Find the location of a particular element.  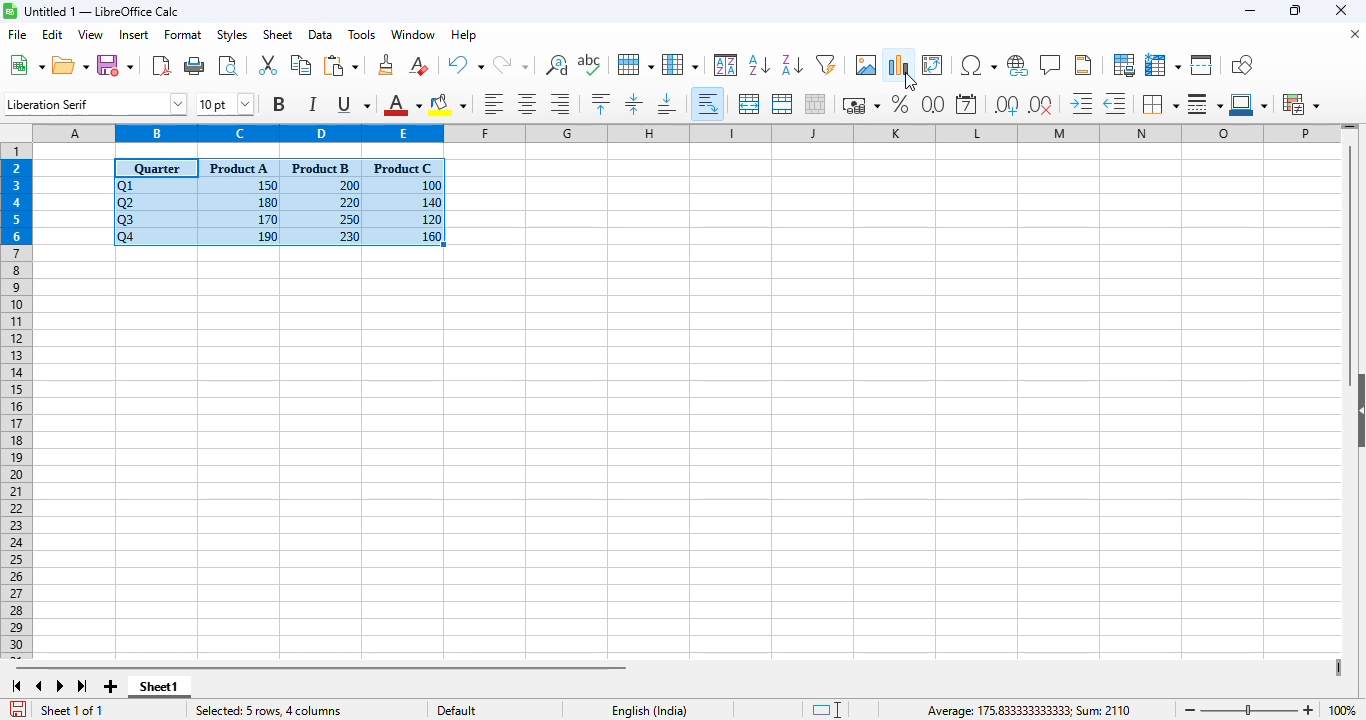

columns is located at coordinates (686, 132).